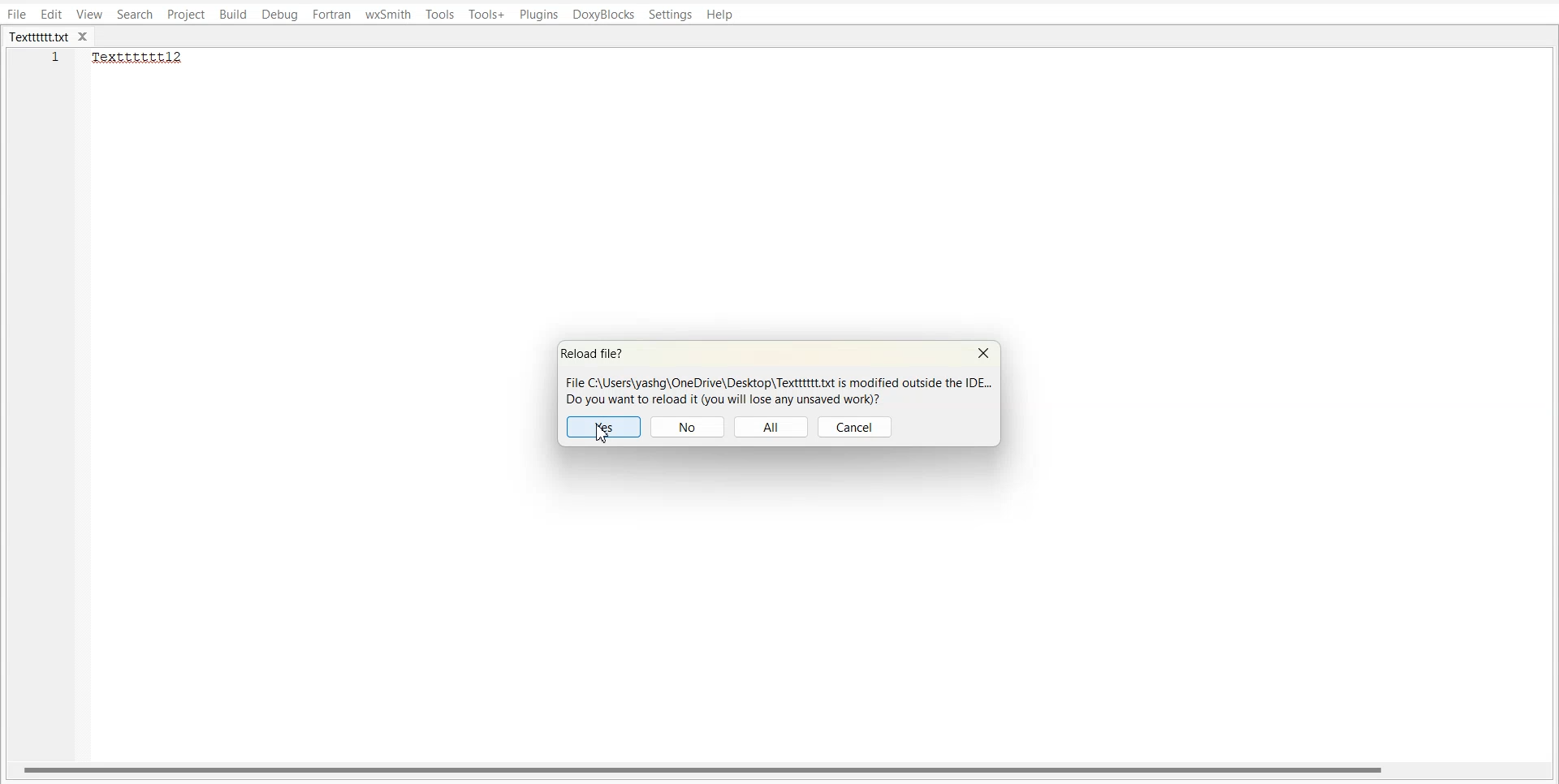  I want to click on Texttttttl2, so click(146, 58).